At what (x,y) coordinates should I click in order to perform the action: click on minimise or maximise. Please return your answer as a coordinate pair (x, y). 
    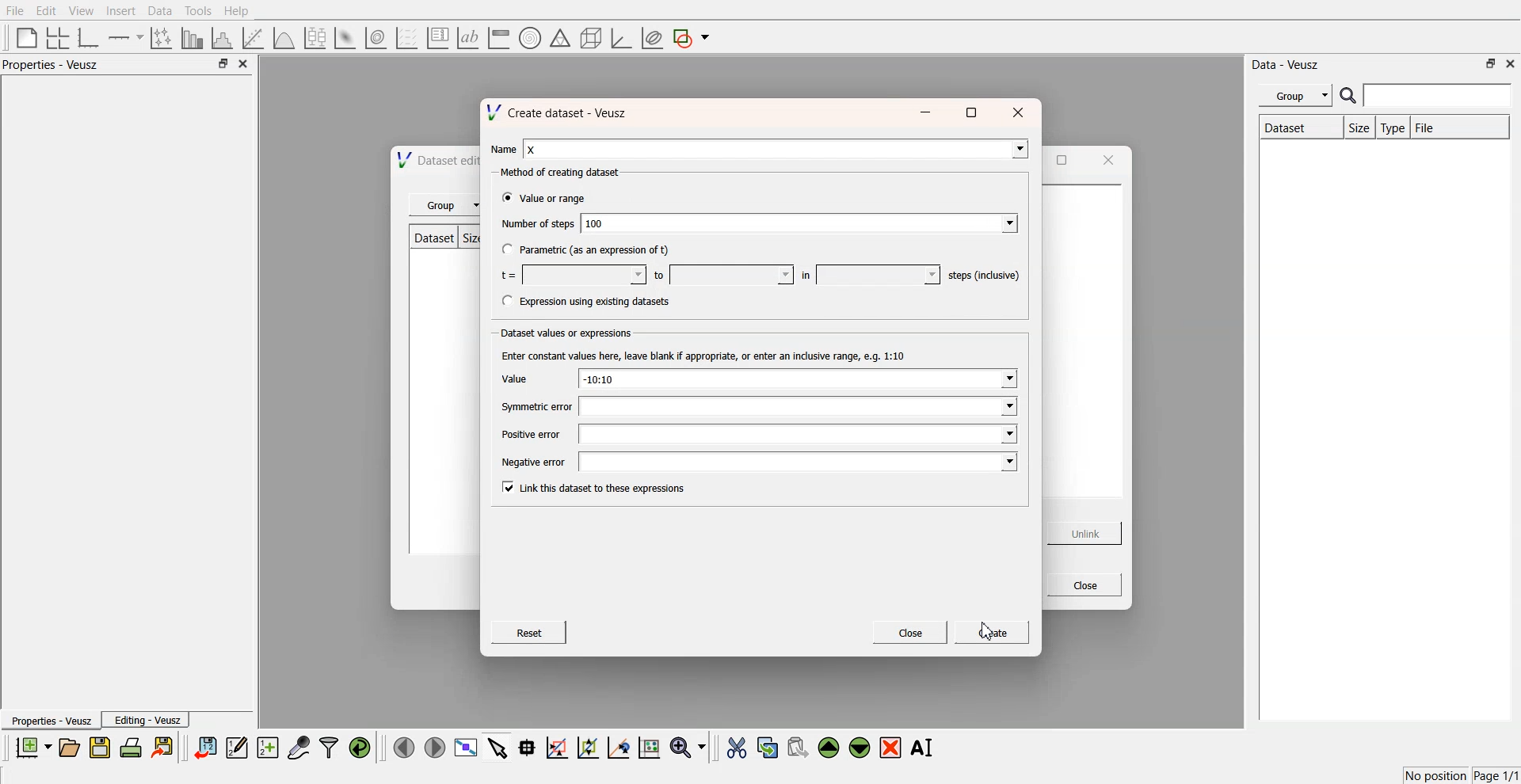
    Looking at the image, I should click on (1491, 63).